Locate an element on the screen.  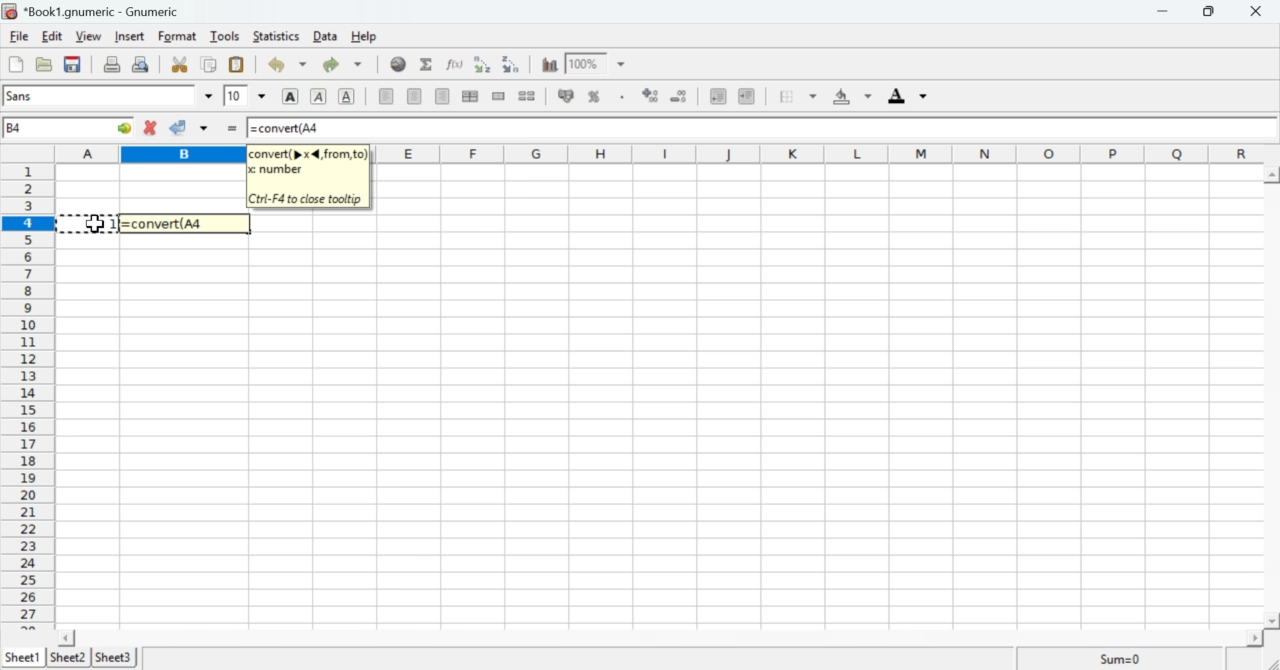
Save the current workbook is located at coordinates (74, 64).